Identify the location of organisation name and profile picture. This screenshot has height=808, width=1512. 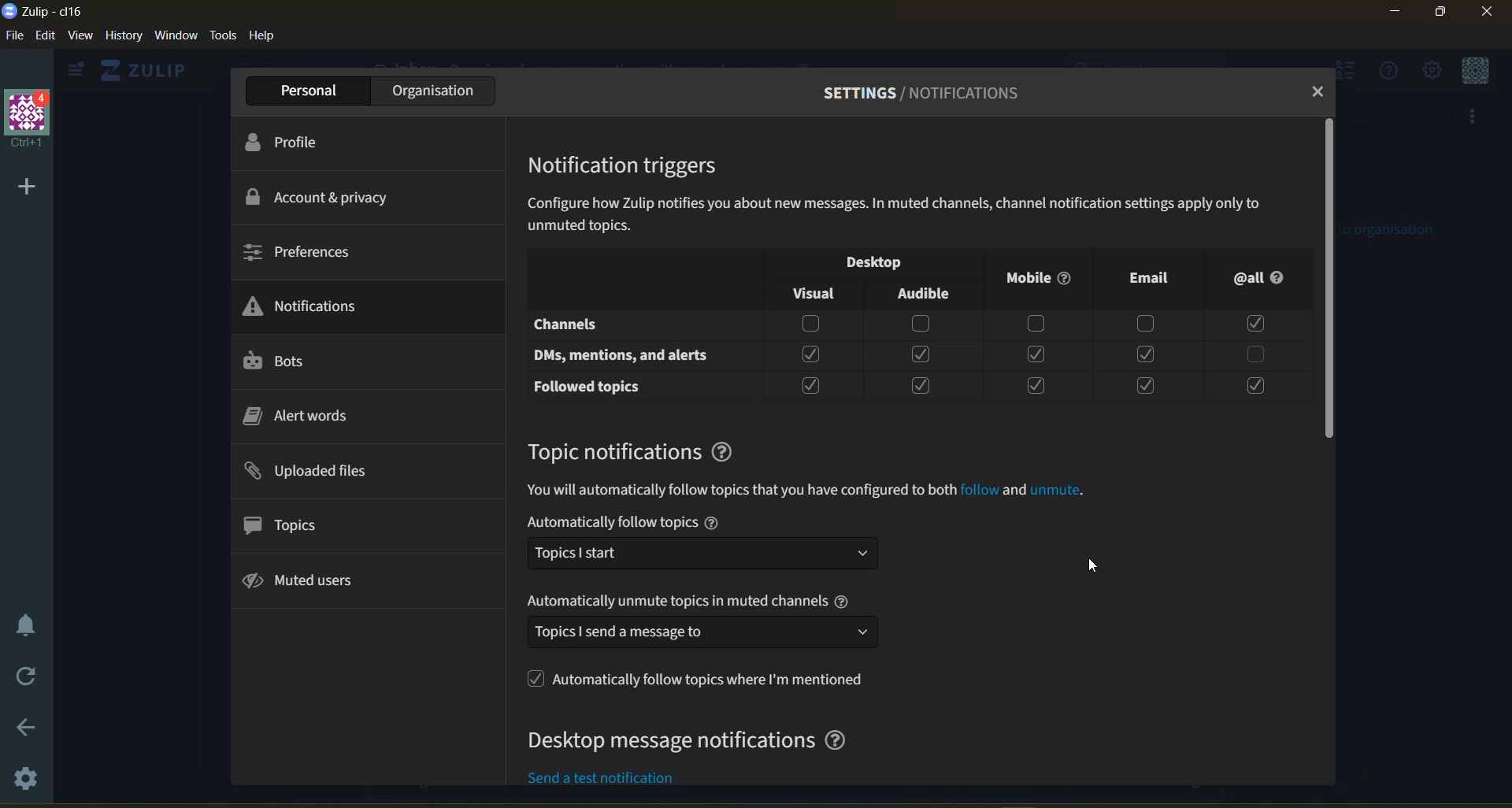
(27, 120).